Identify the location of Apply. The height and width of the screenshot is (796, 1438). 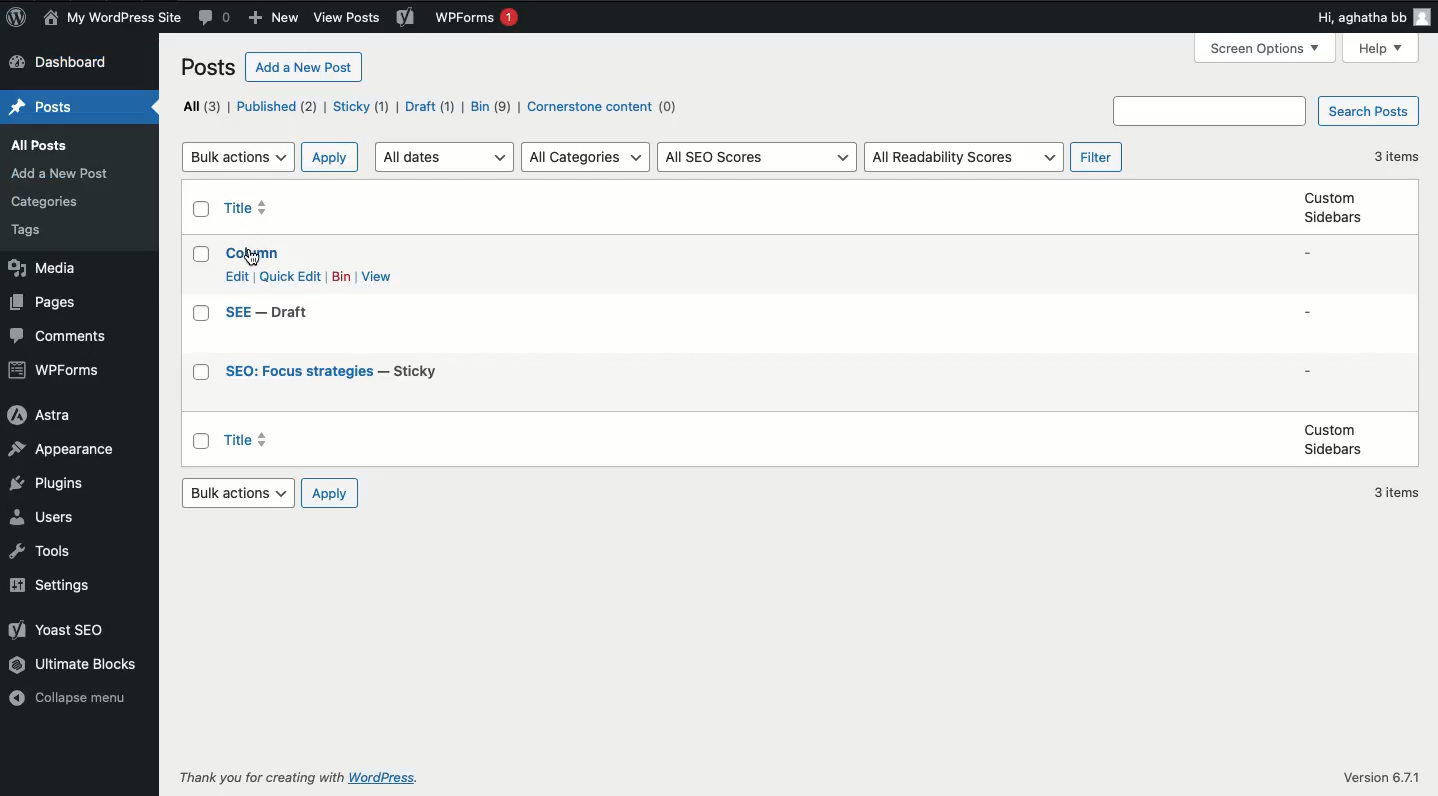
(332, 158).